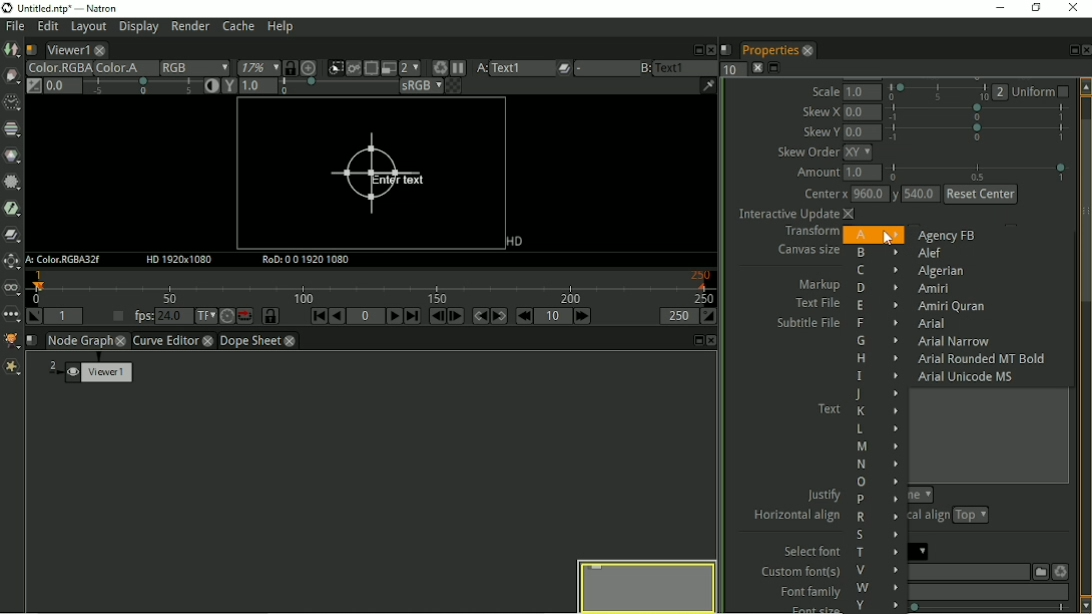 The width and height of the screenshot is (1092, 614). What do you see at coordinates (815, 303) in the screenshot?
I see `text file` at bounding box center [815, 303].